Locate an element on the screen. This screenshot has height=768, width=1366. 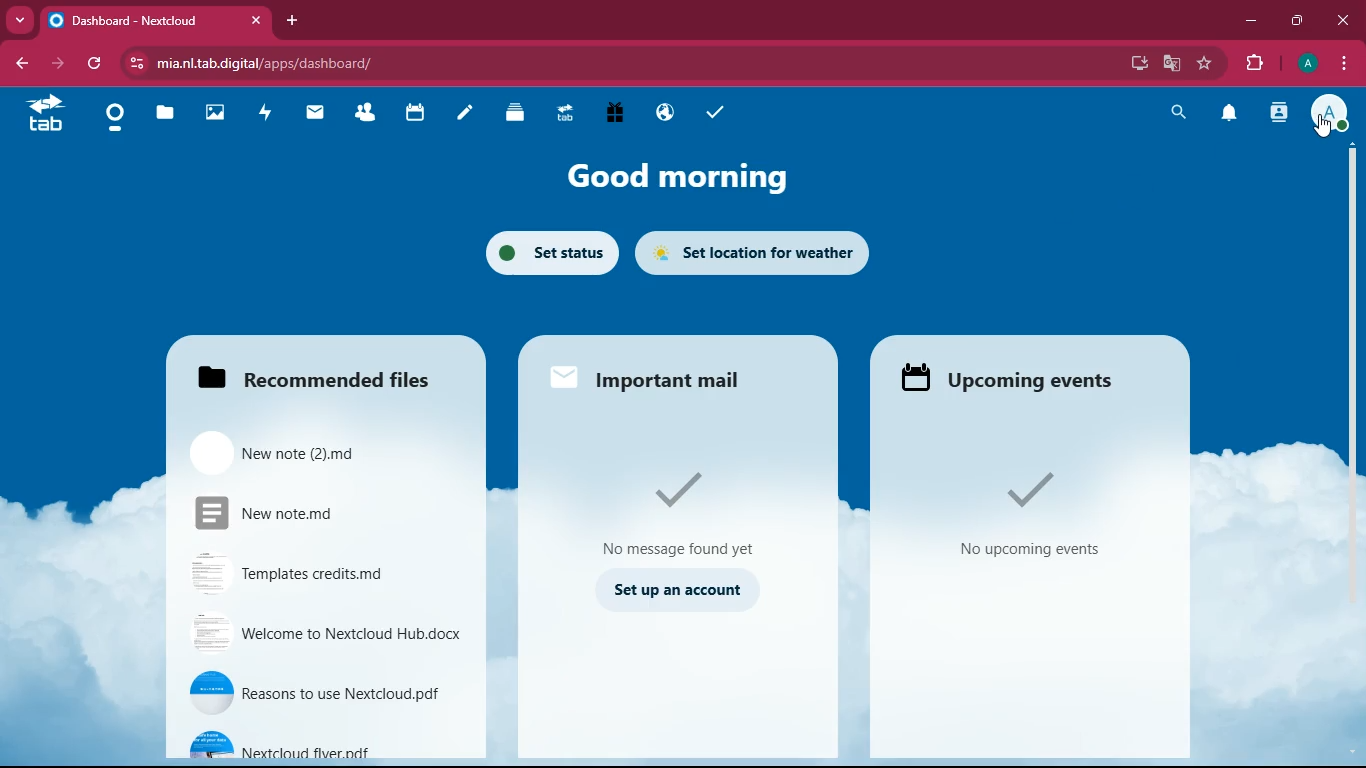
forward is located at coordinates (58, 62).